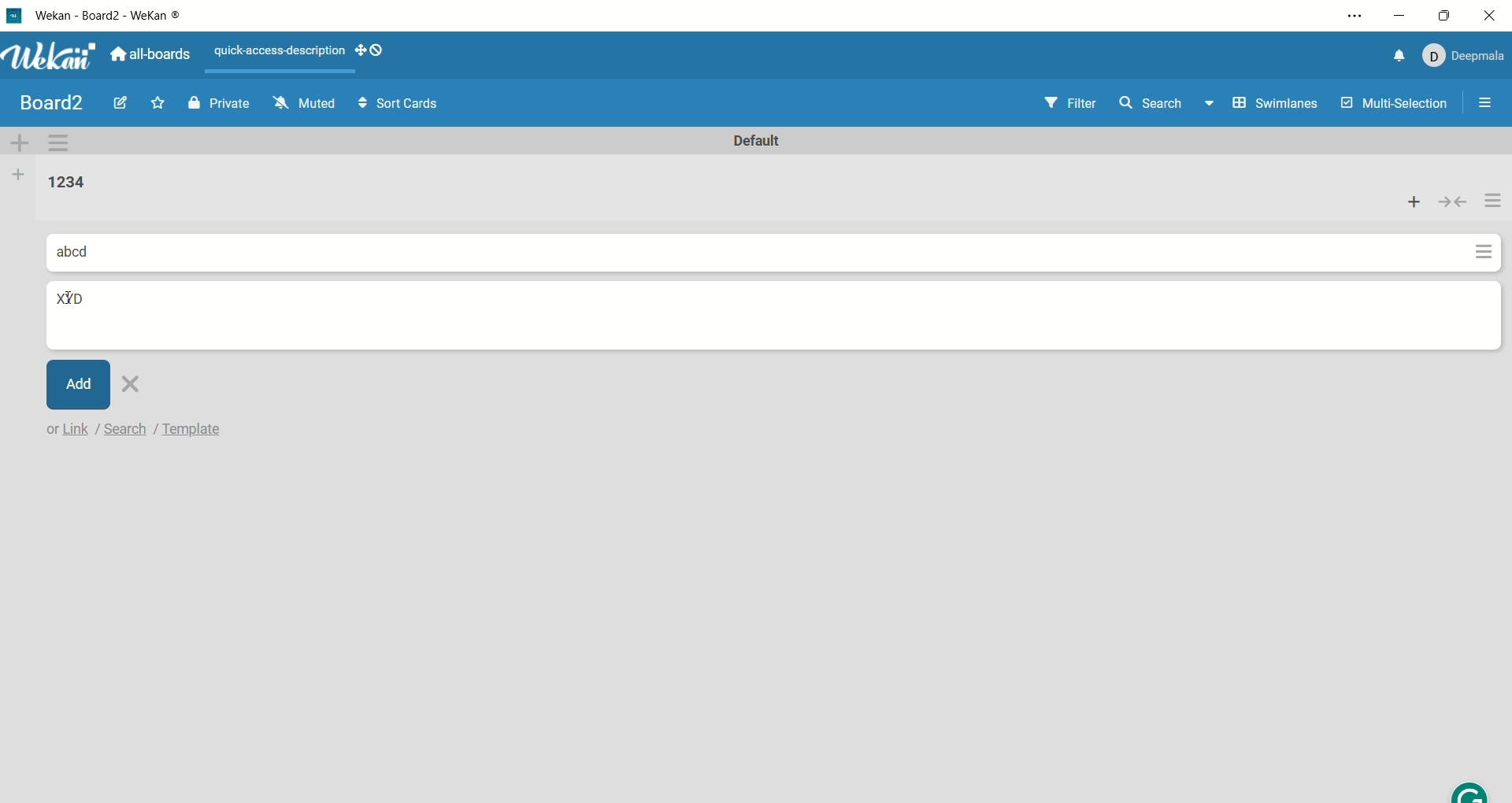 This screenshot has width=1512, height=803. Describe the element at coordinates (72, 299) in the screenshot. I see `title` at that location.